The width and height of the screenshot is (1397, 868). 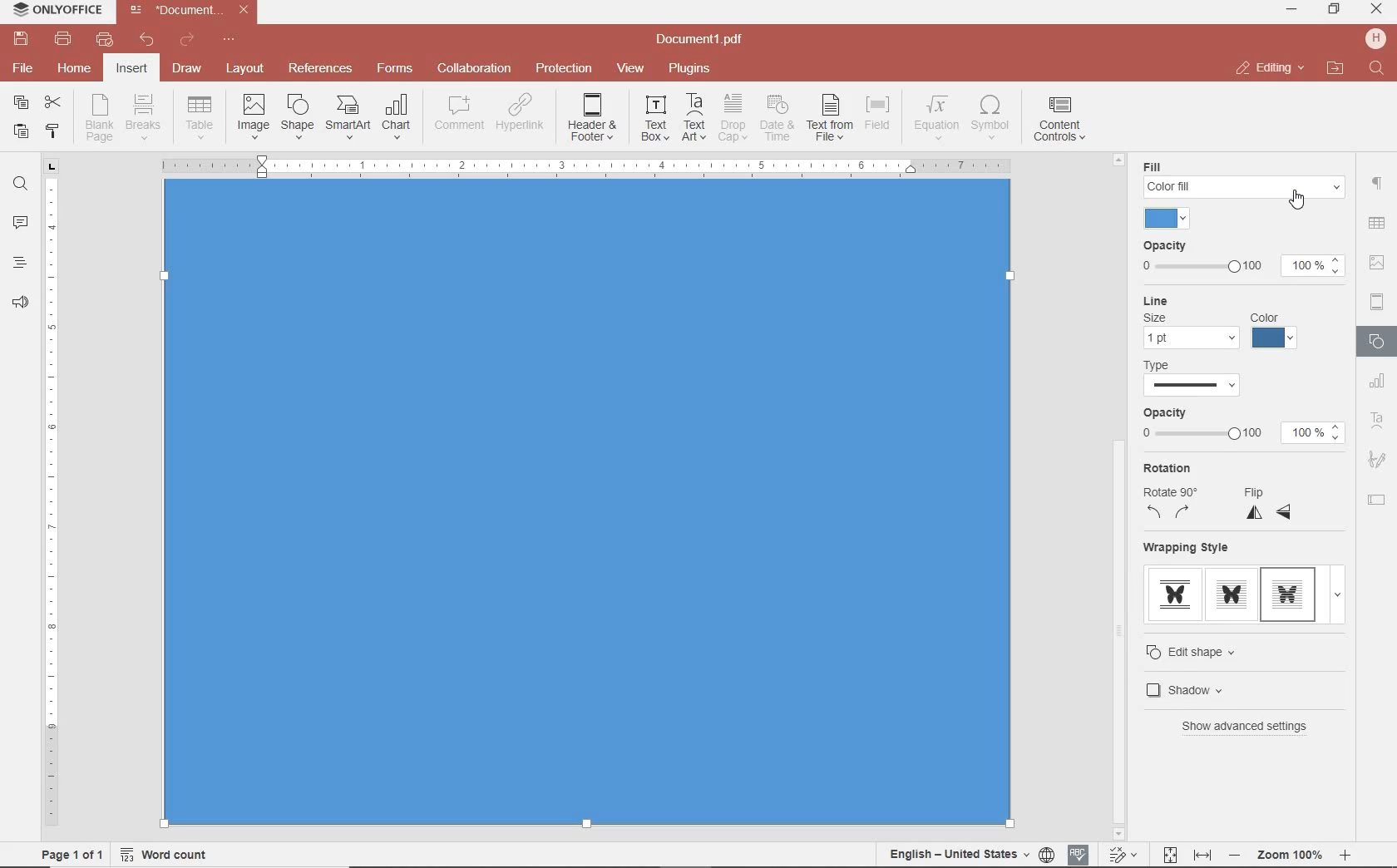 What do you see at coordinates (147, 40) in the screenshot?
I see `undo` at bounding box center [147, 40].